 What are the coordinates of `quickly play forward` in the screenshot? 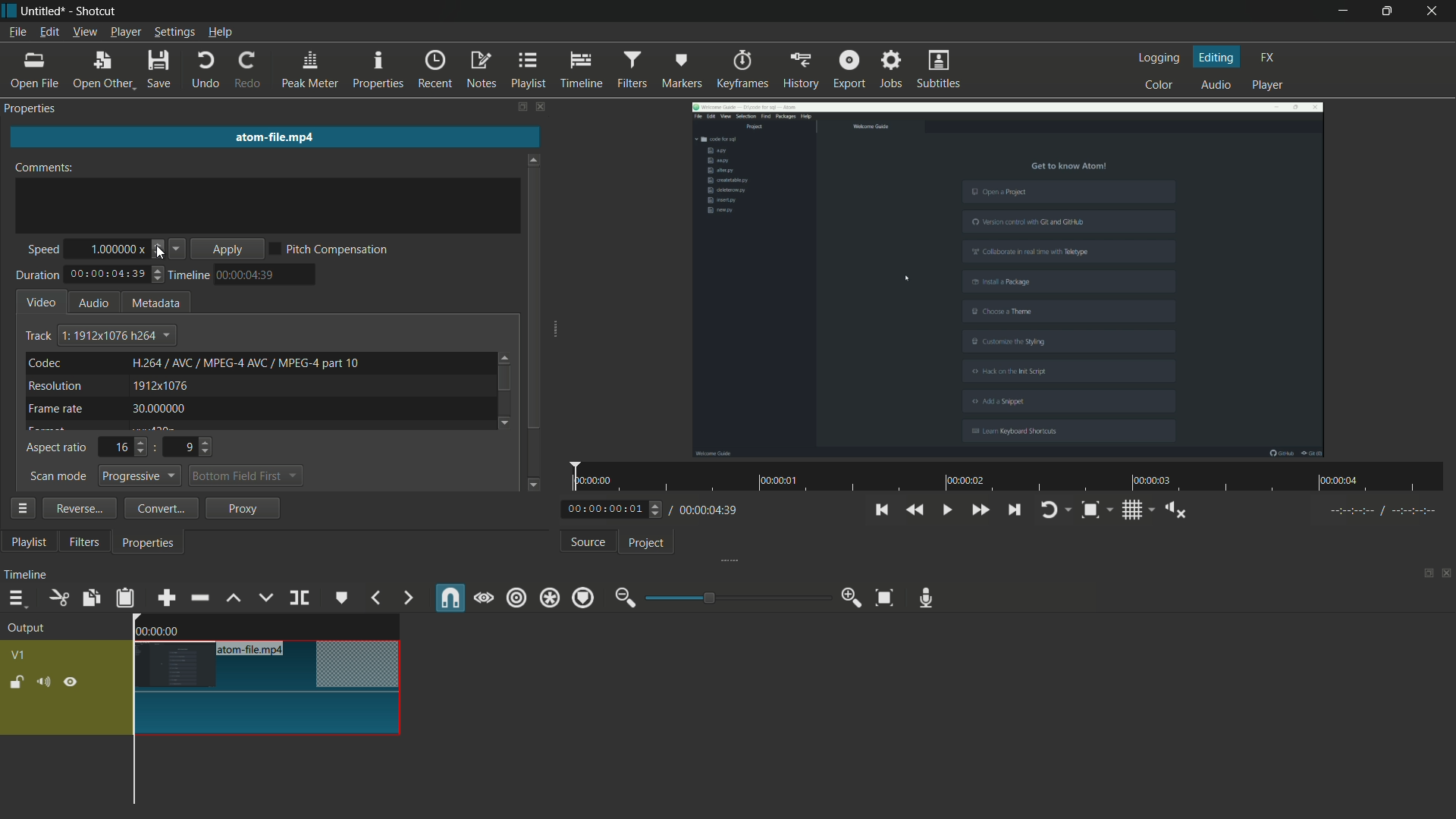 It's located at (979, 510).